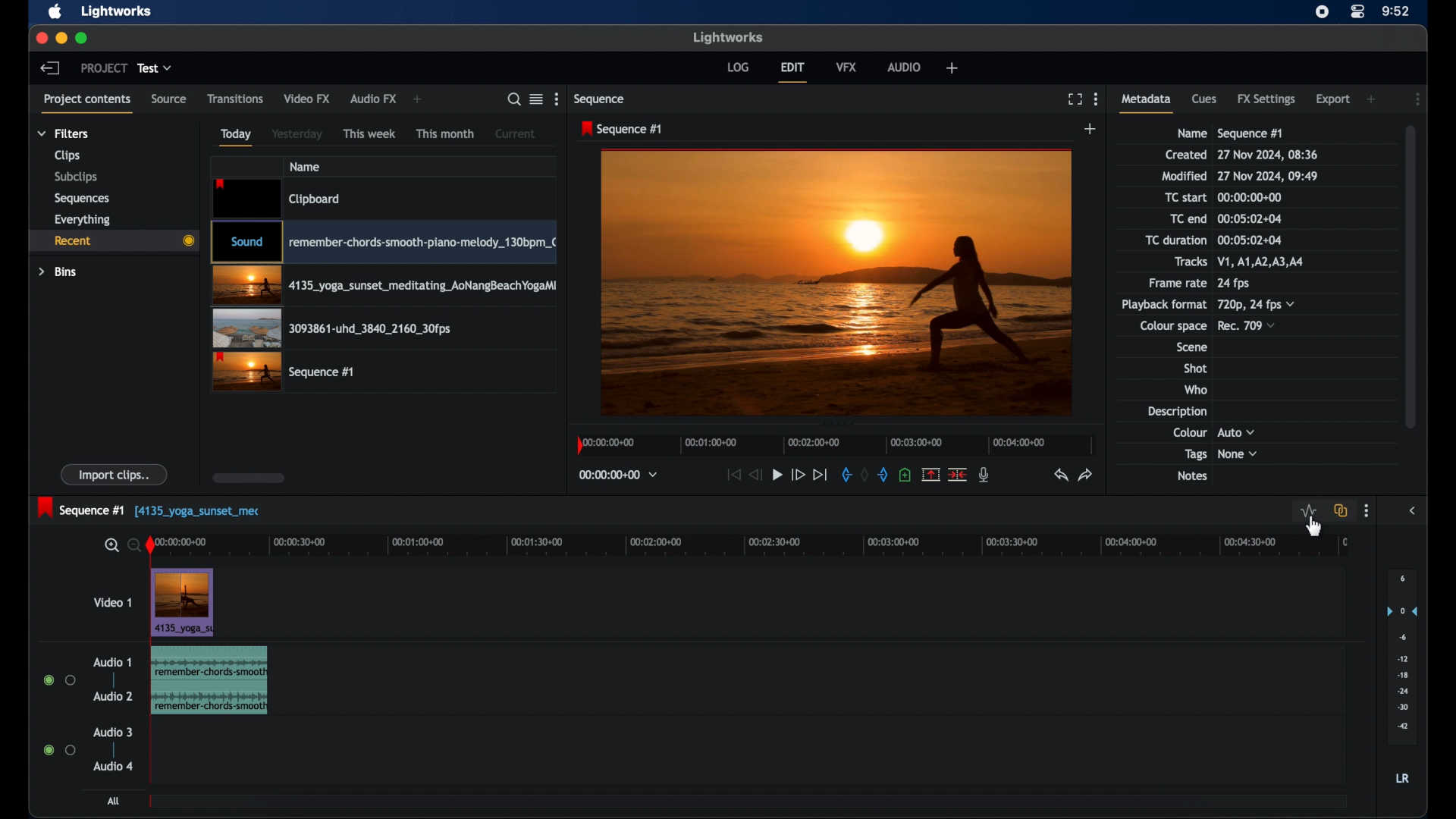 The image size is (1456, 819). Describe the element at coordinates (1402, 778) in the screenshot. I see `lr` at that location.